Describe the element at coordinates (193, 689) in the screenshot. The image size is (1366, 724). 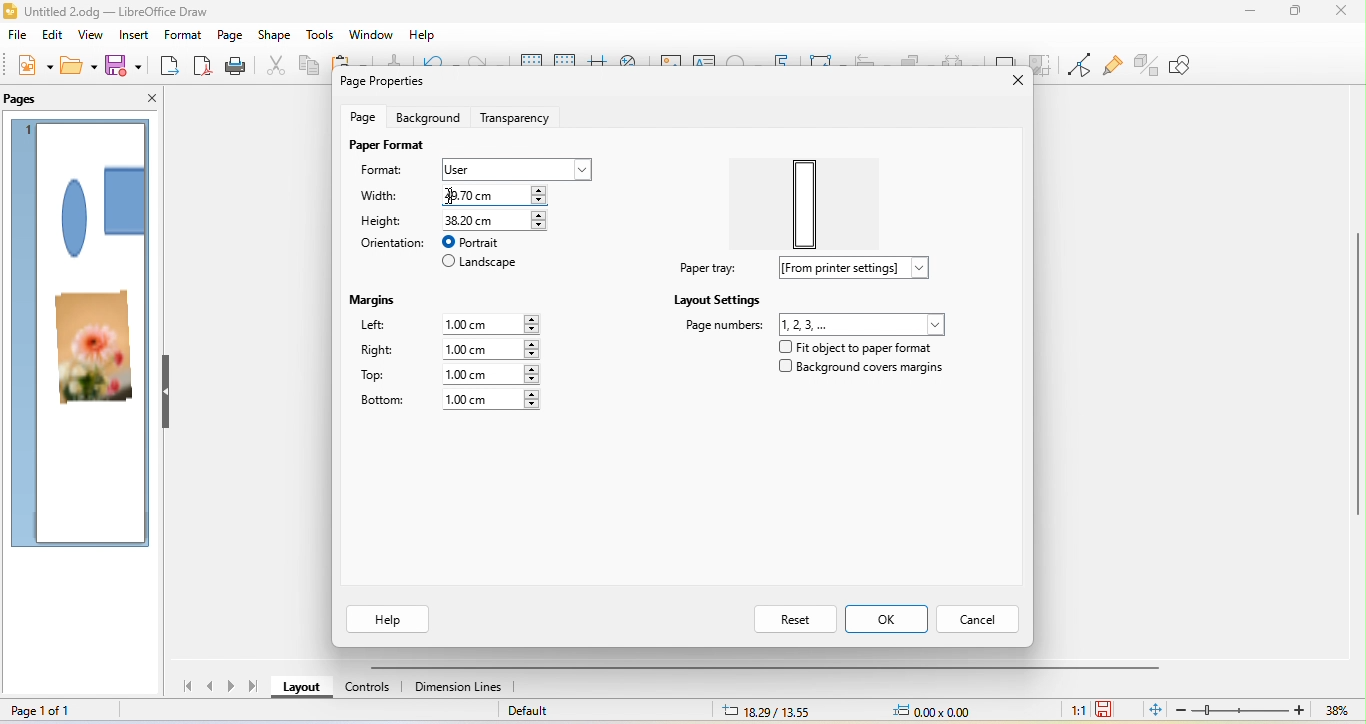
I see ` first page` at that location.